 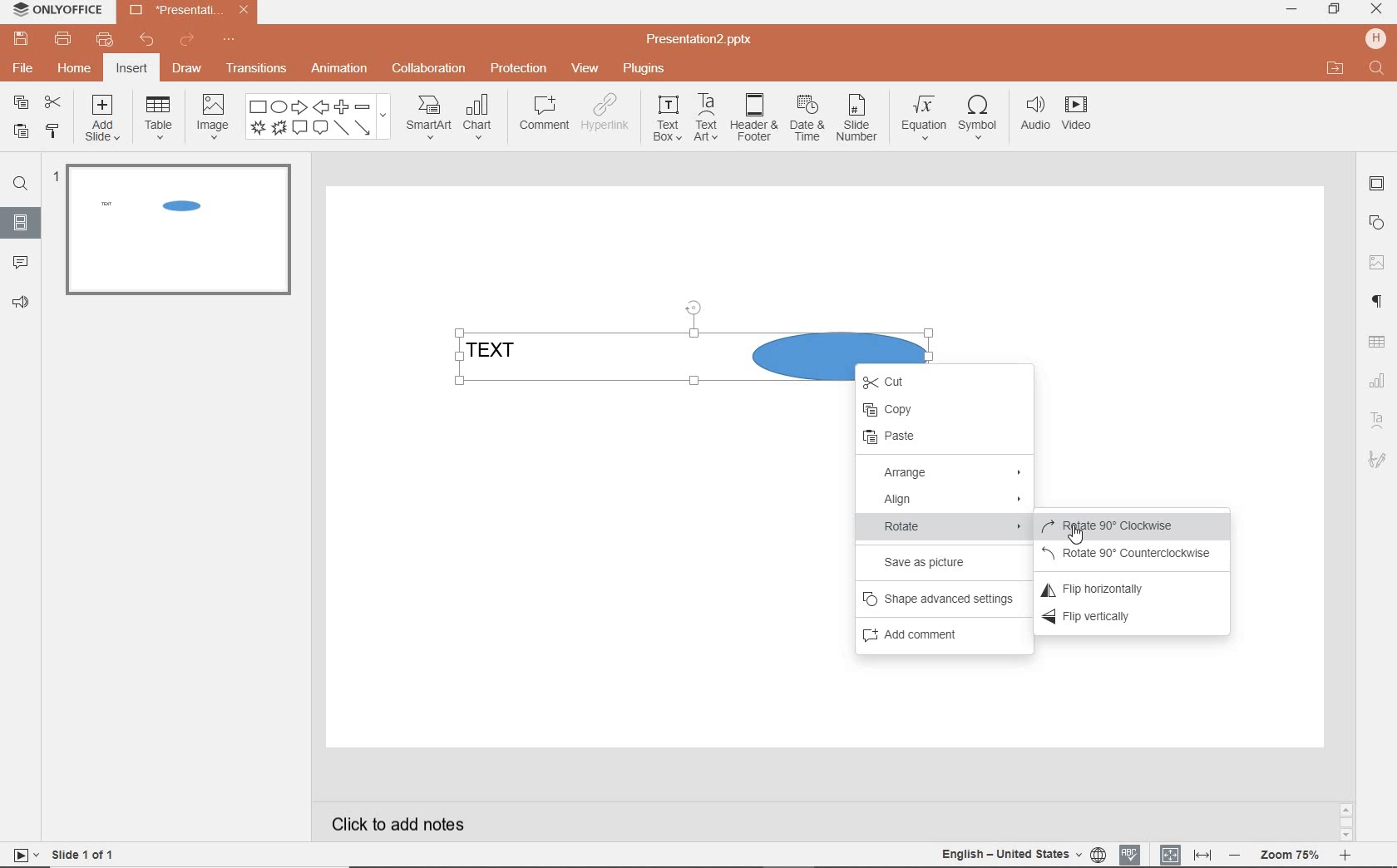 What do you see at coordinates (582, 69) in the screenshot?
I see `view` at bounding box center [582, 69].